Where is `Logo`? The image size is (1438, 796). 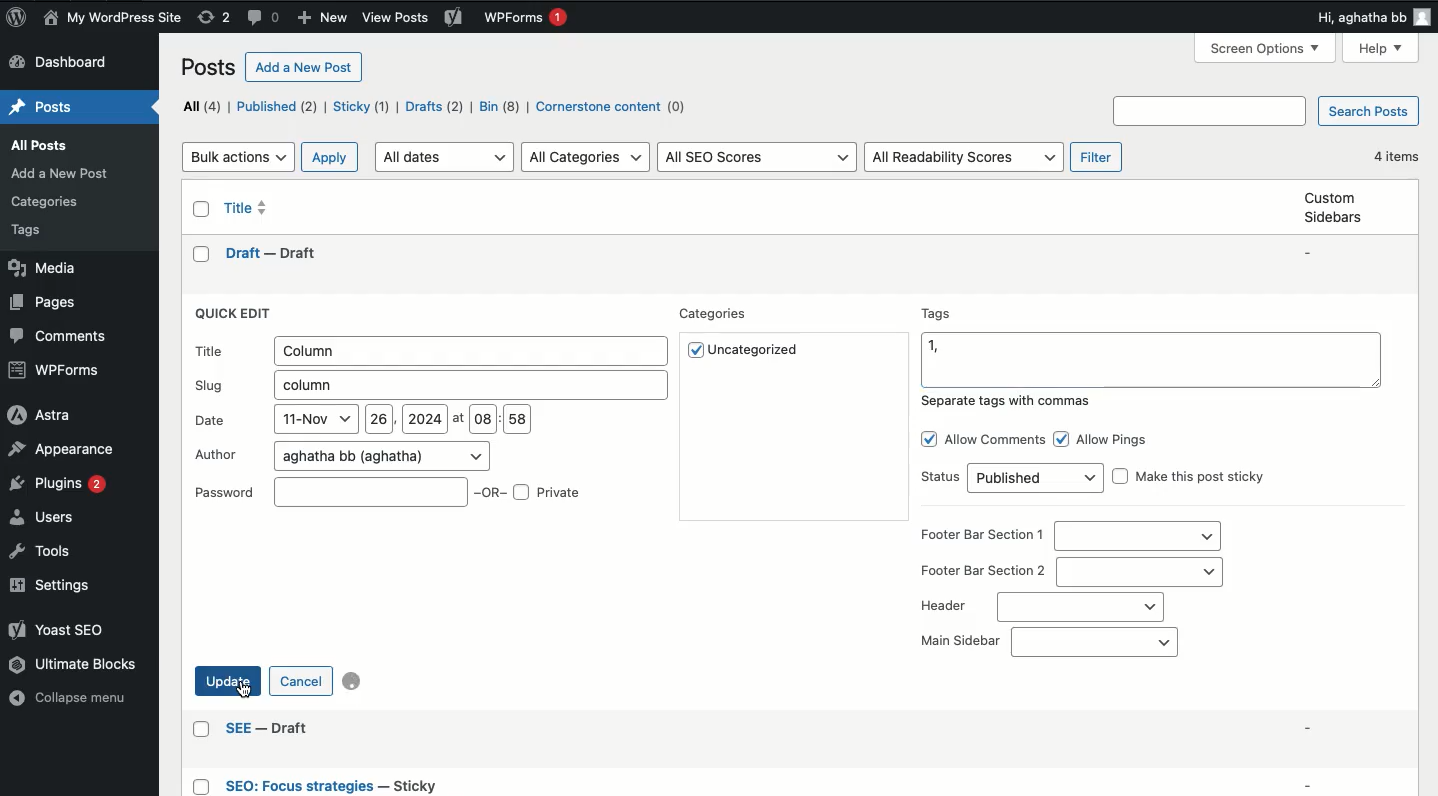 Logo is located at coordinates (14, 18).